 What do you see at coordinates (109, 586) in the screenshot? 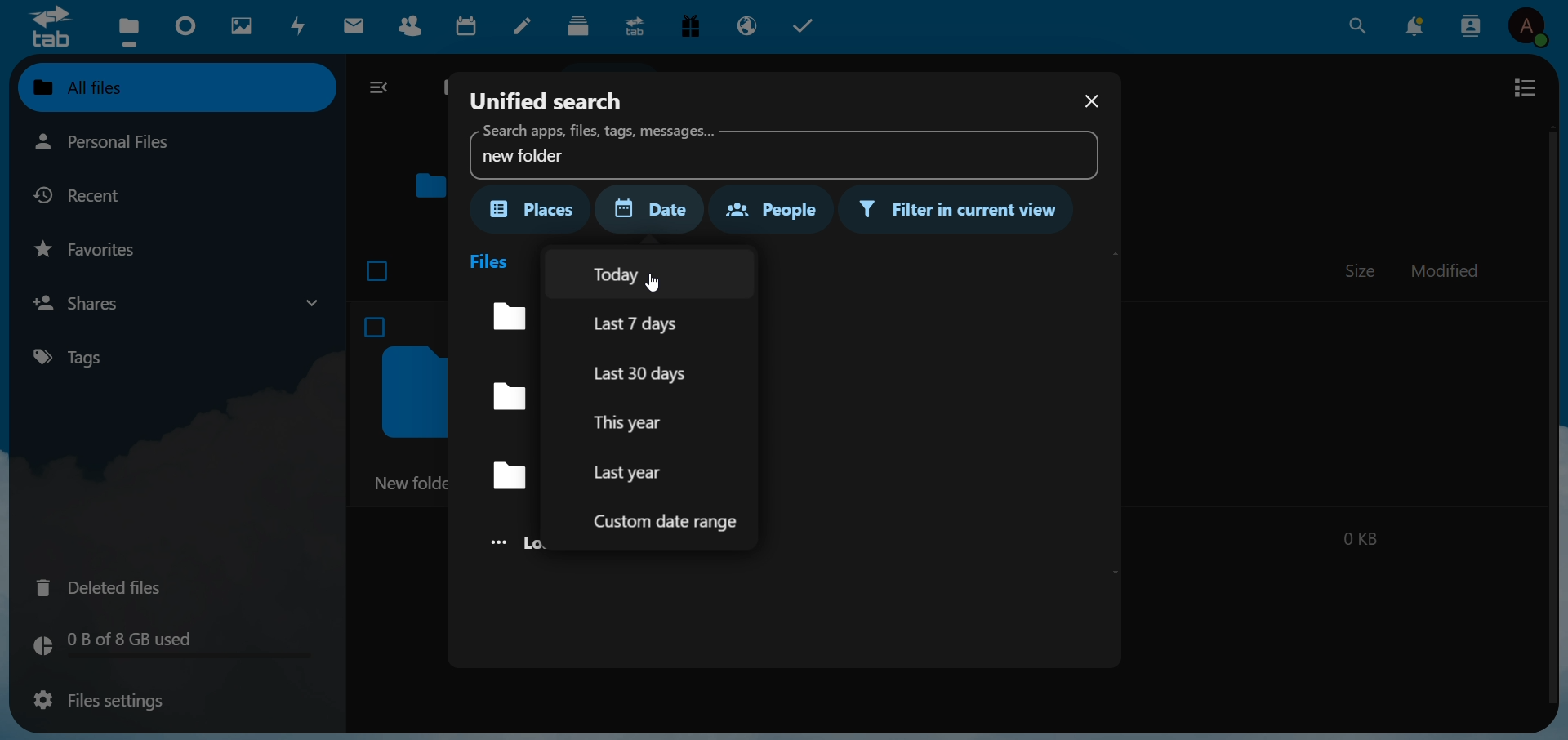
I see `deleted files` at bounding box center [109, 586].